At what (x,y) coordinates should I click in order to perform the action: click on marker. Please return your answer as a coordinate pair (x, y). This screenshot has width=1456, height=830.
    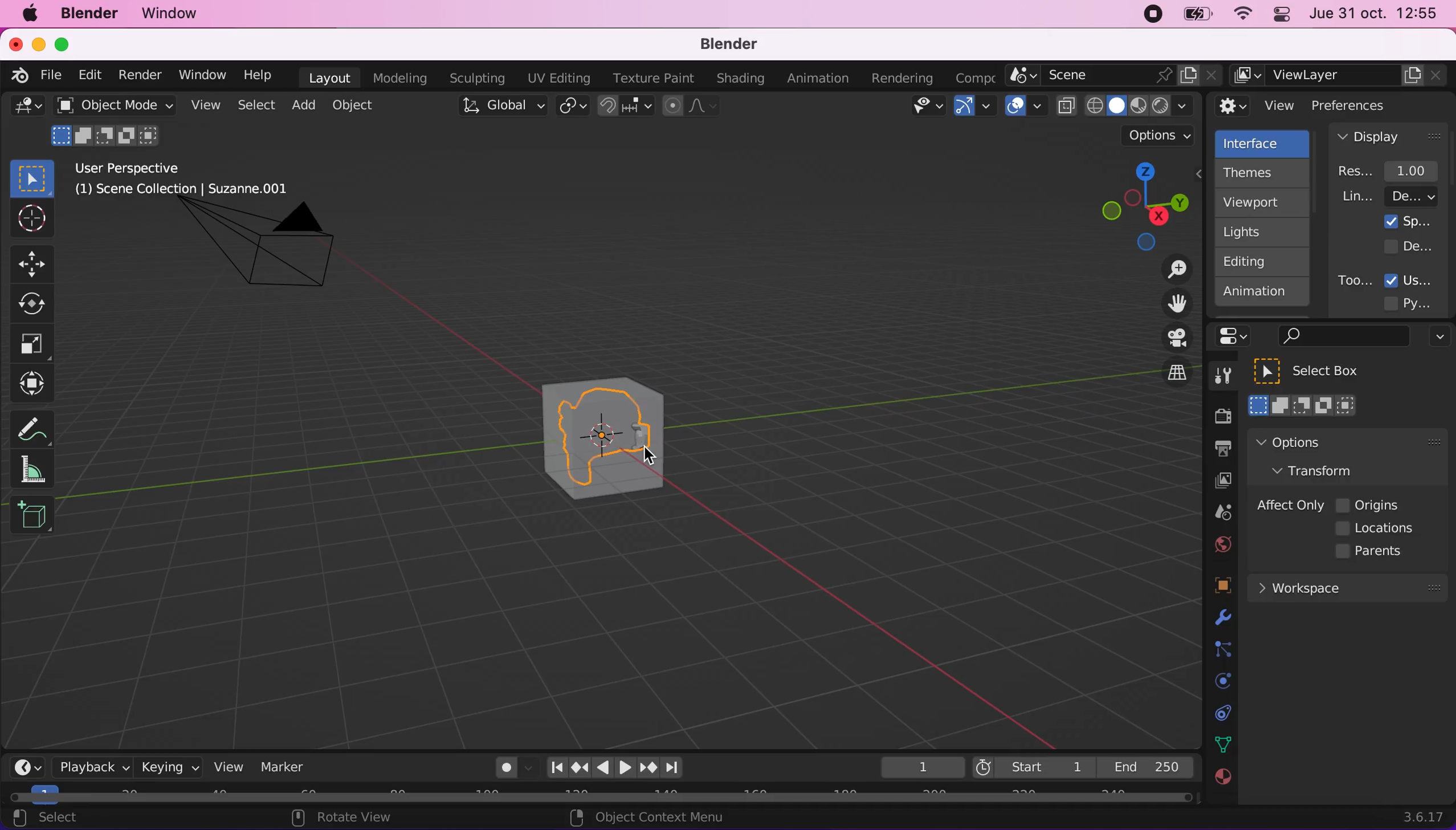
    Looking at the image, I should click on (283, 767).